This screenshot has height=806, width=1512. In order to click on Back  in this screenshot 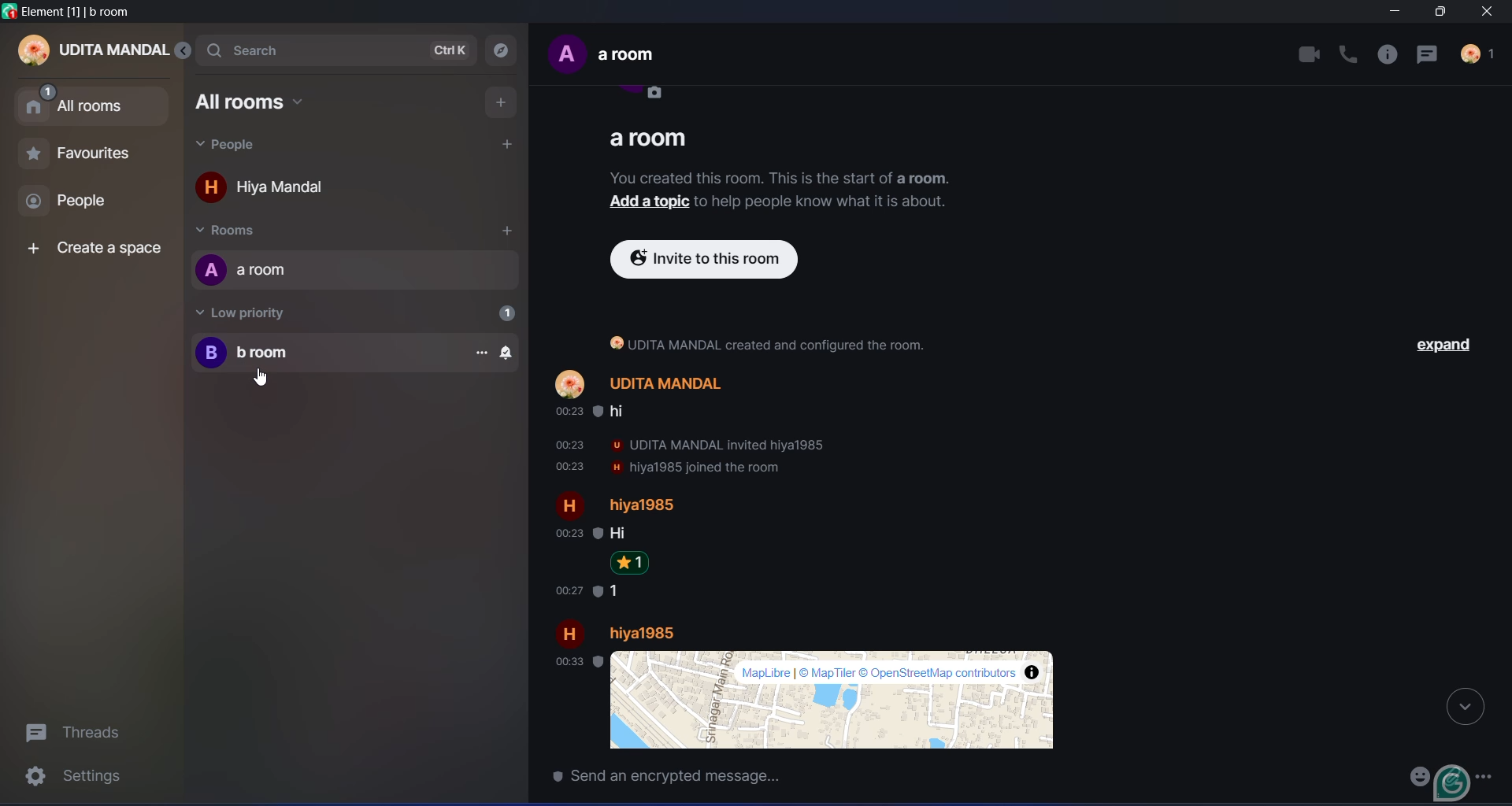, I will do `click(188, 51)`.